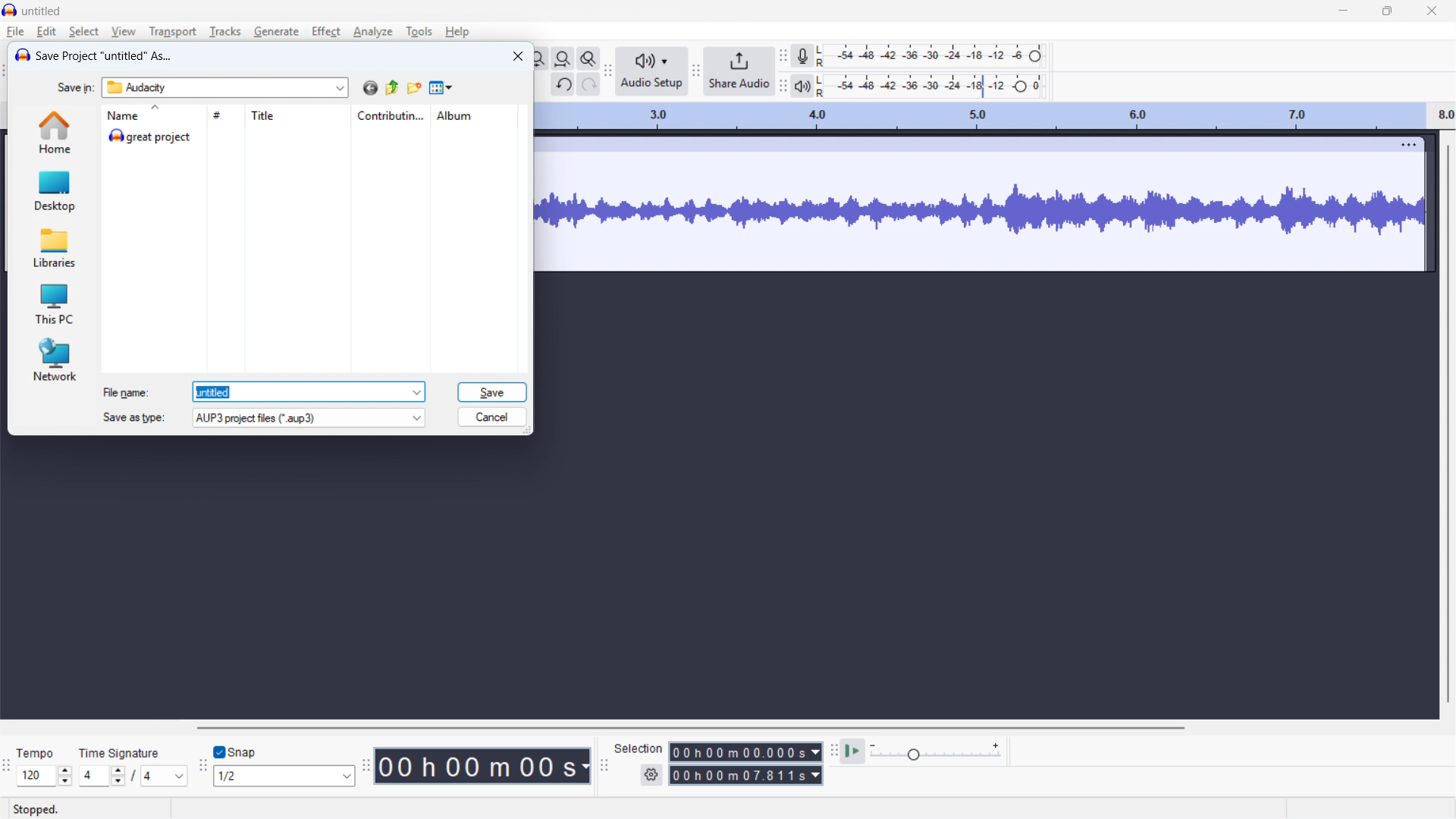 The image size is (1456, 819). Describe the element at coordinates (53, 132) in the screenshot. I see `home` at that location.